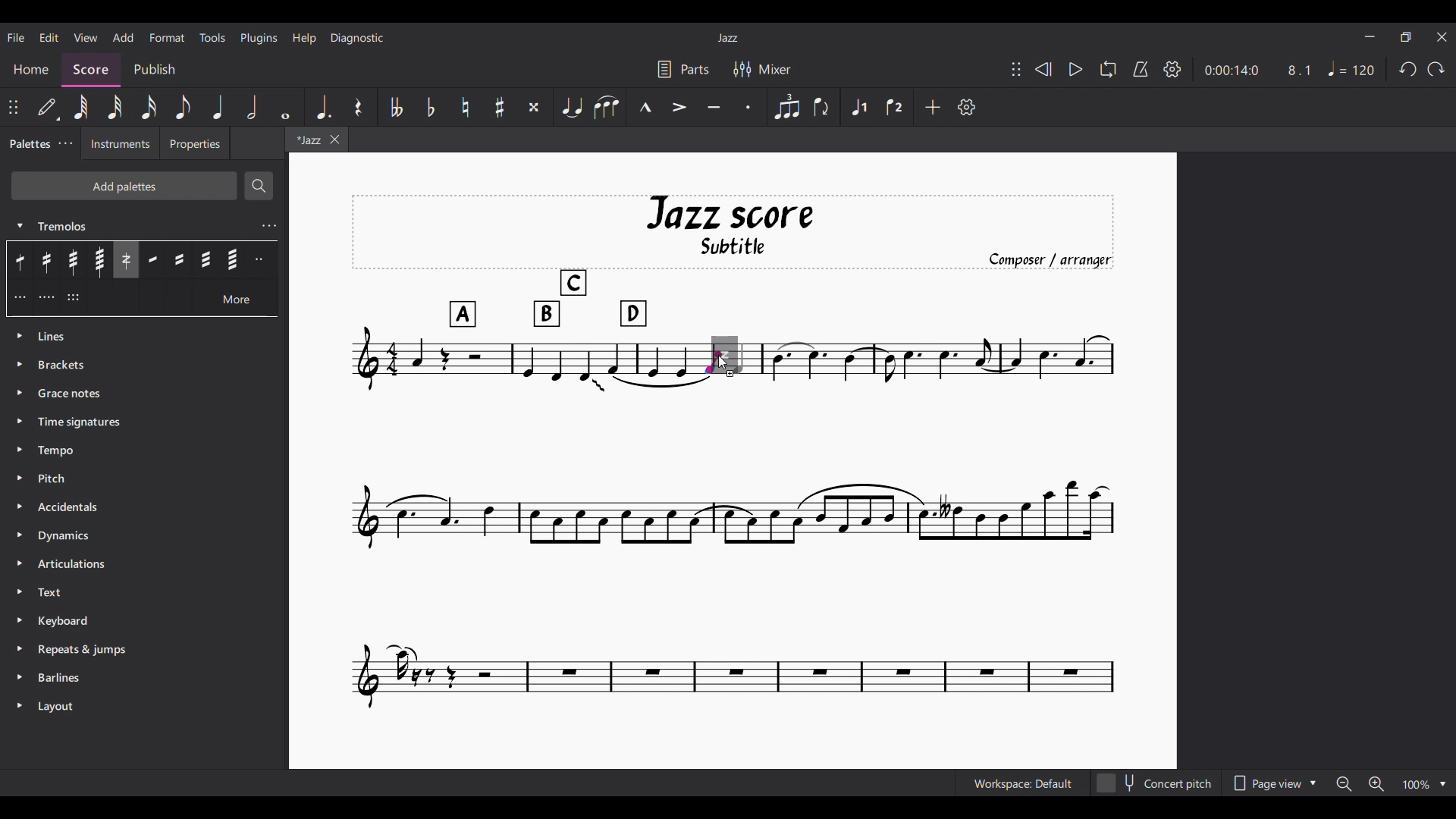 The image size is (1456, 819). Describe the element at coordinates (15, 38) in the screenshot. I see `File` at that location.